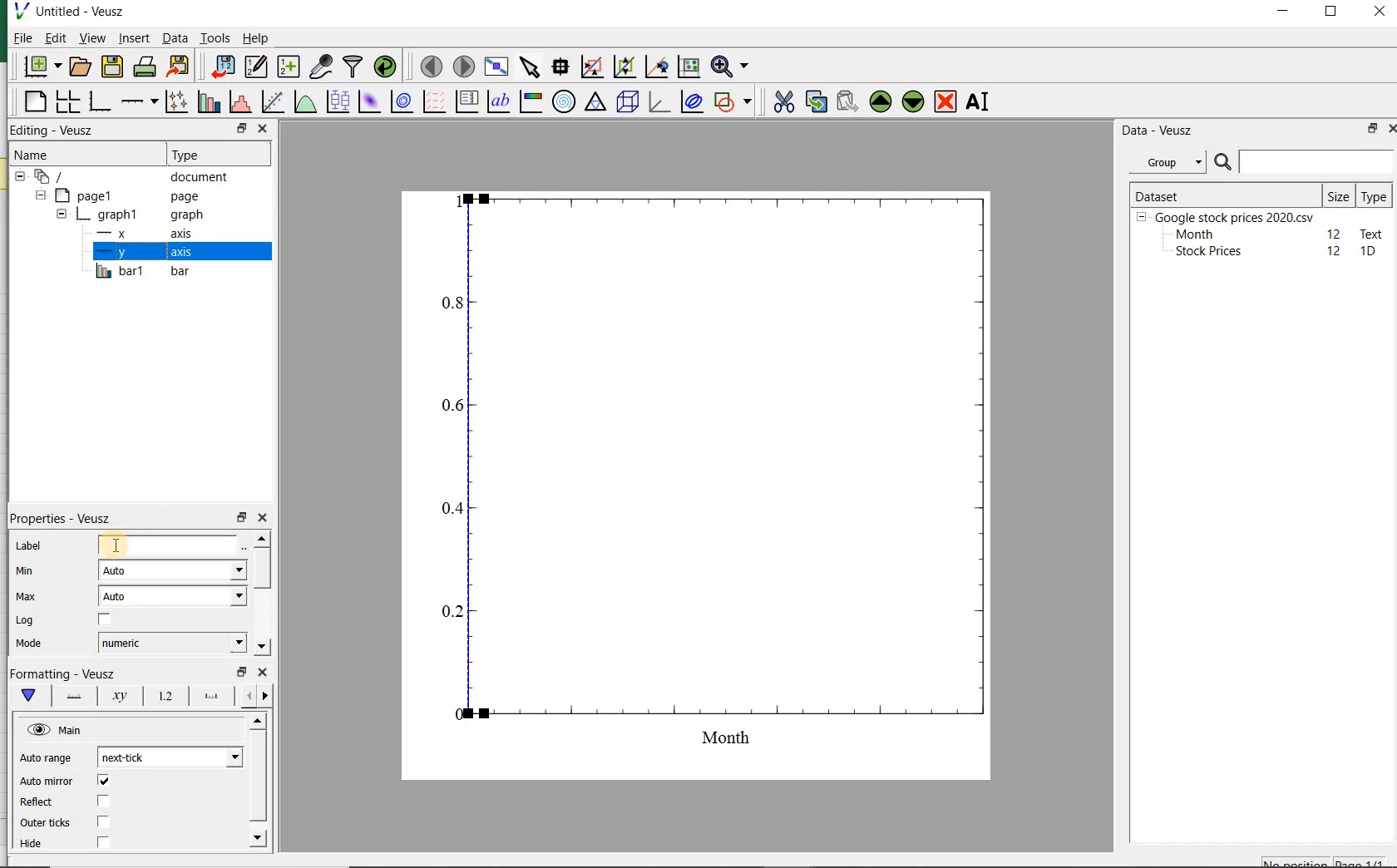 This screenshot has width=1397, height=868. Describe the element at coordinates (127, 216) in the screenshot. I see `graph1` at that location.